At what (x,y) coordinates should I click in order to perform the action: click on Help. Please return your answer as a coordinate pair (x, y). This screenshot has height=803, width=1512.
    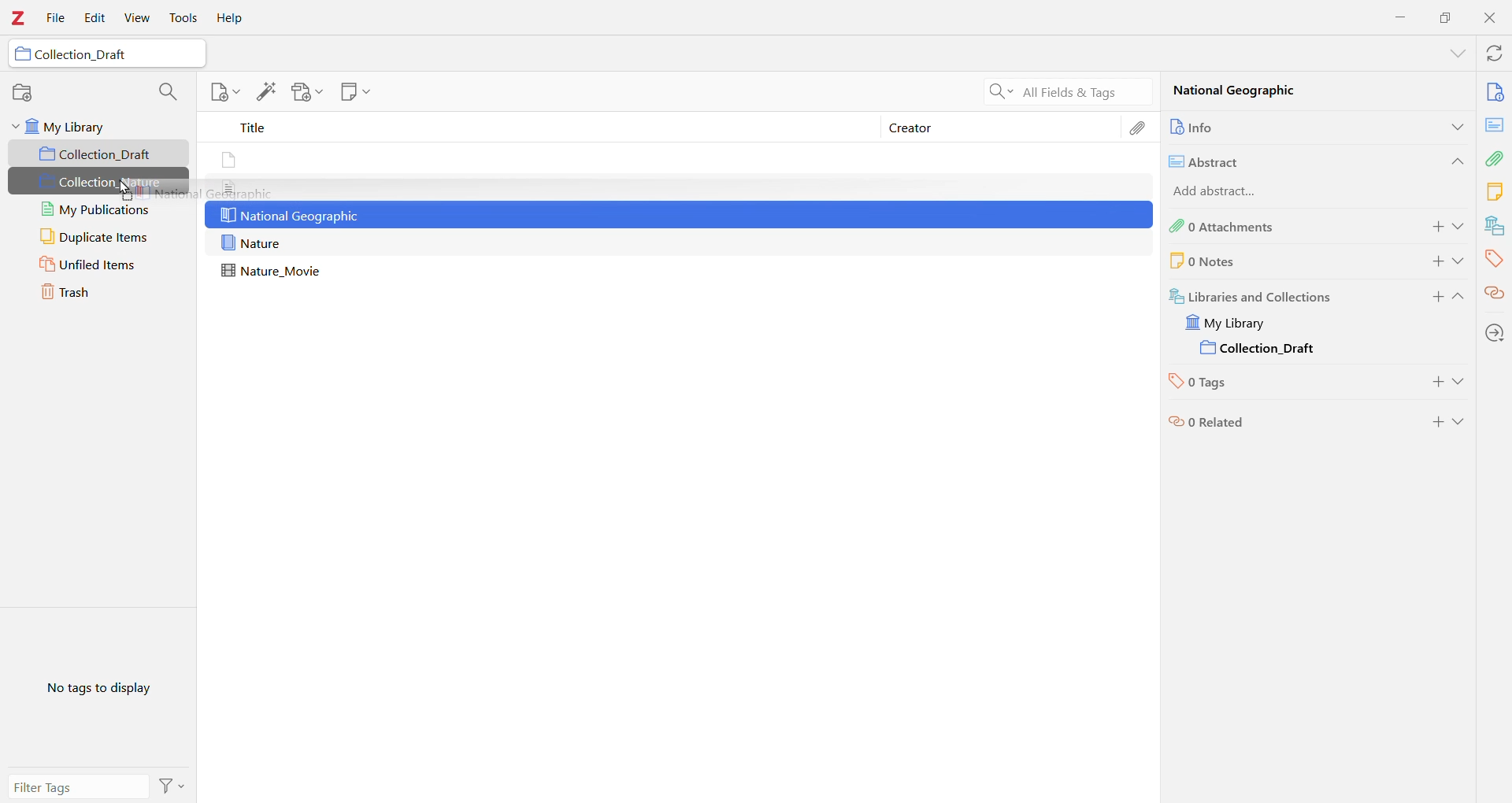
    Looking at the image, I should click on (234, 18).